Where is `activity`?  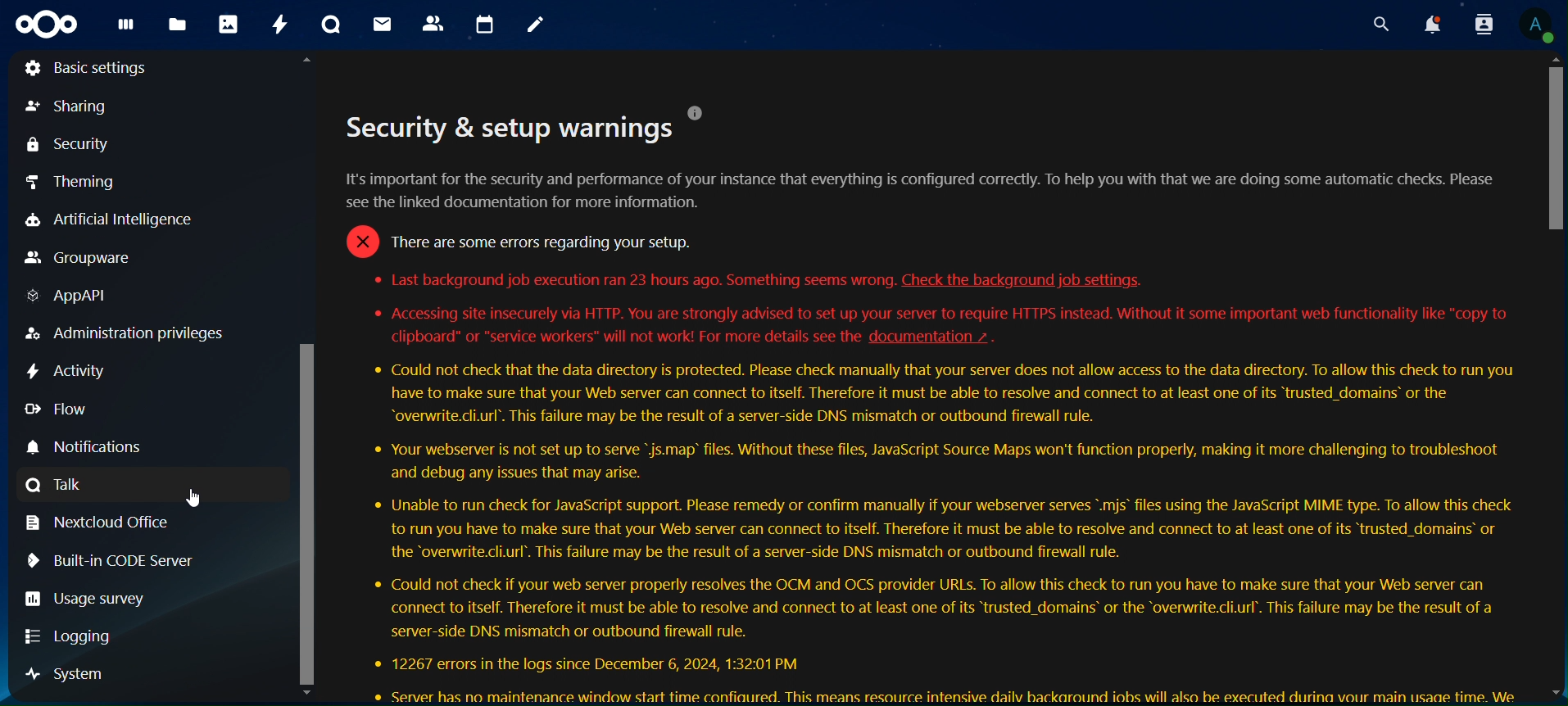 activity is located at coordinates (279, 24).